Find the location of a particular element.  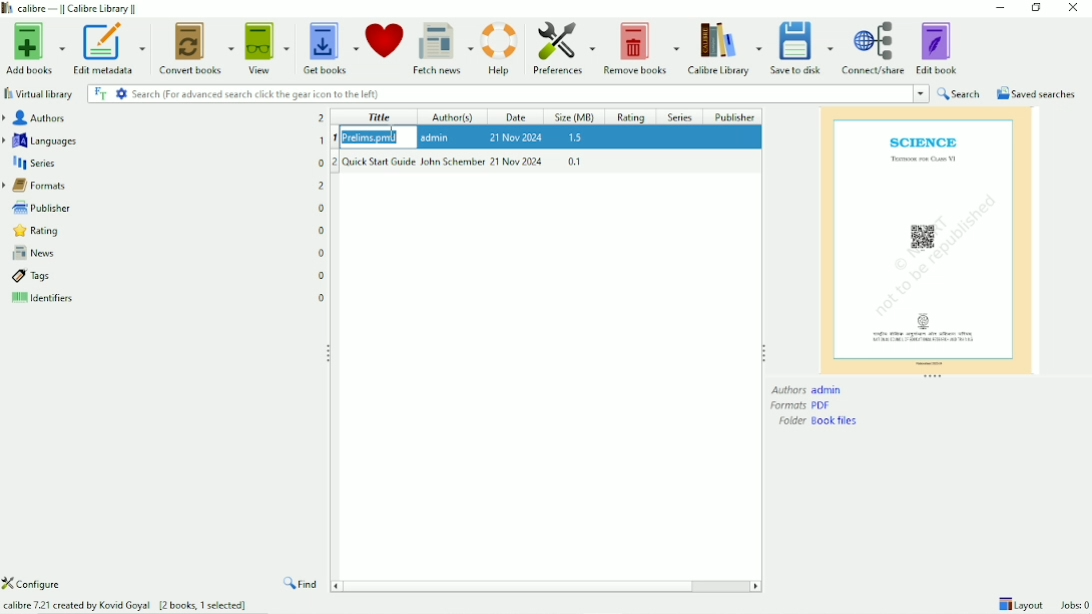

0 is located at coordinates (323, 276).